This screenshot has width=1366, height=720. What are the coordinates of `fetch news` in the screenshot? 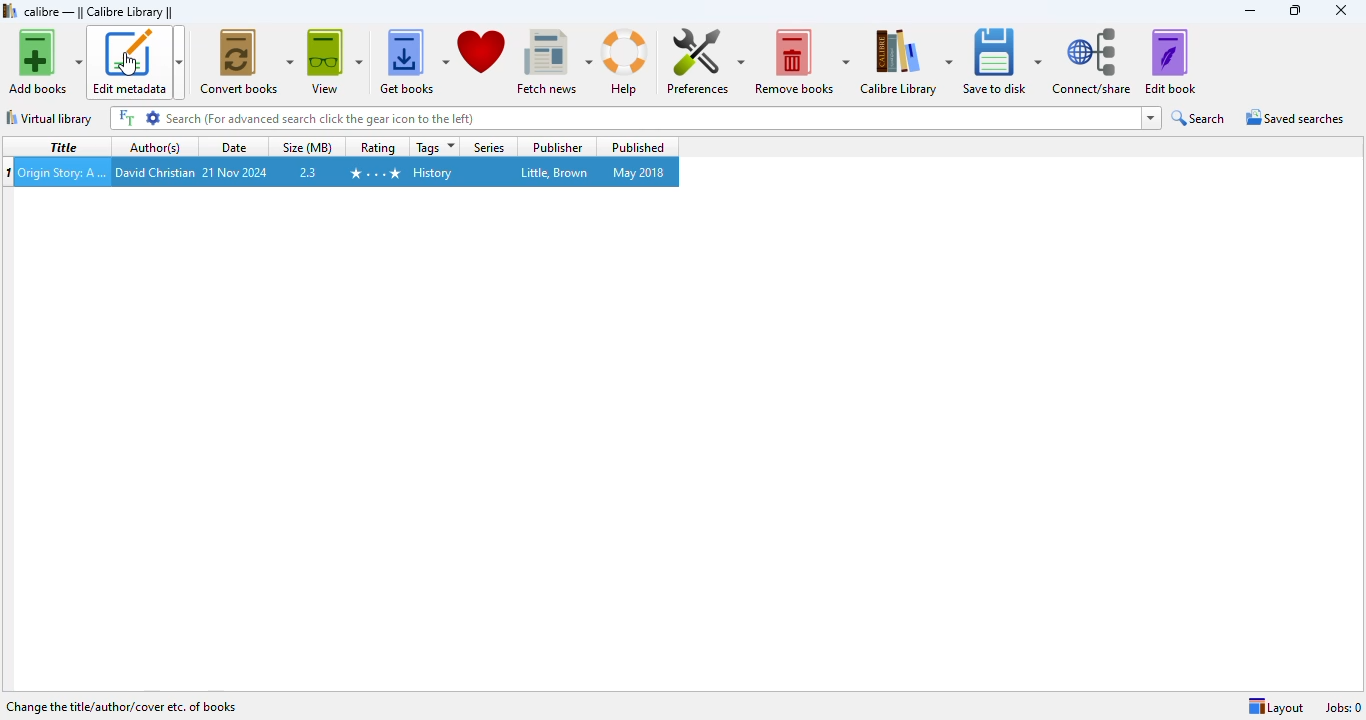 It's located at (554, 62).